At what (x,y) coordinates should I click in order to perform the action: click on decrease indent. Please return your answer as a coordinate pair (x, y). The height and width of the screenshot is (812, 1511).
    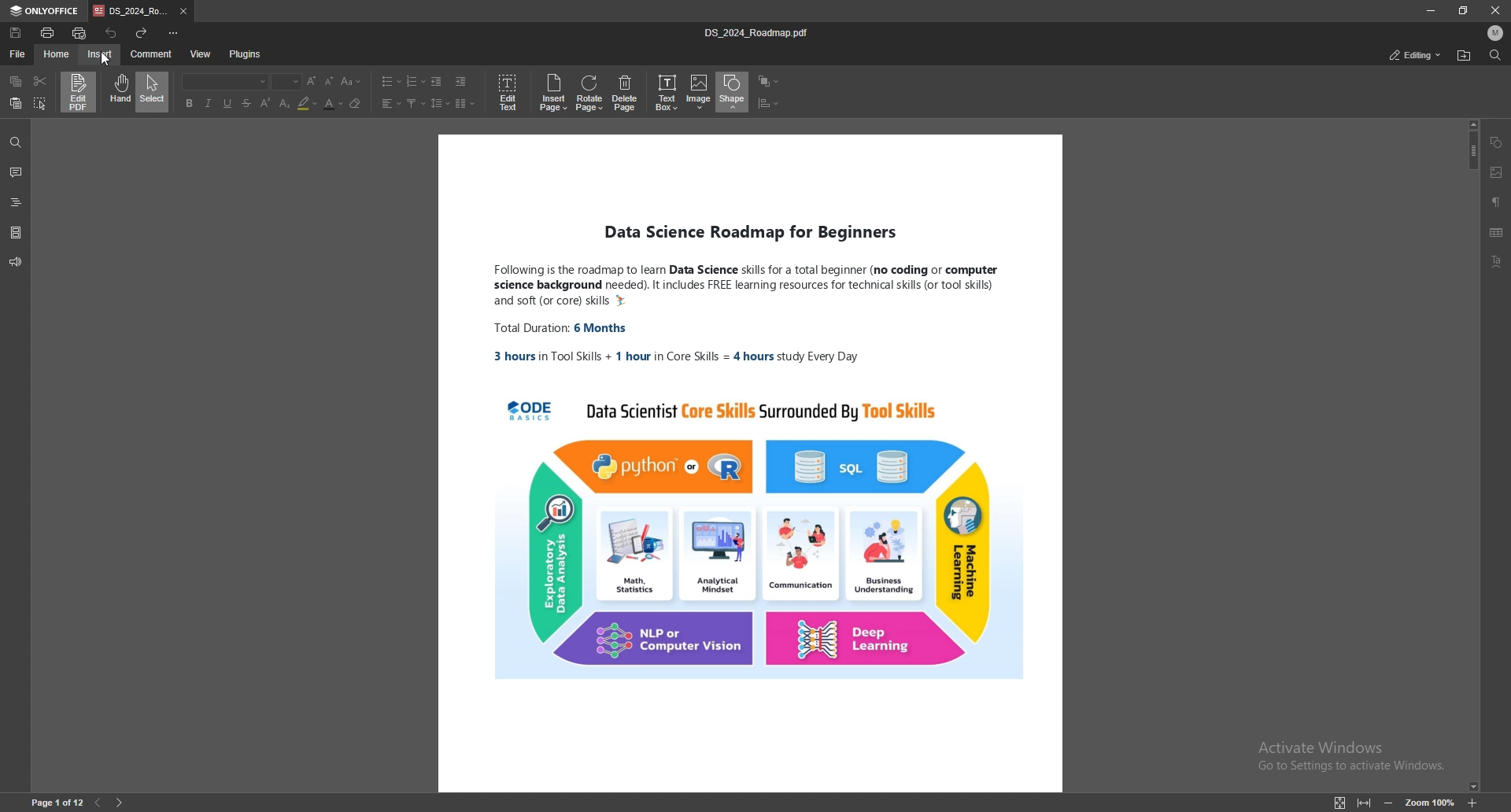
    Looking at the image, I should click on (438, 81).